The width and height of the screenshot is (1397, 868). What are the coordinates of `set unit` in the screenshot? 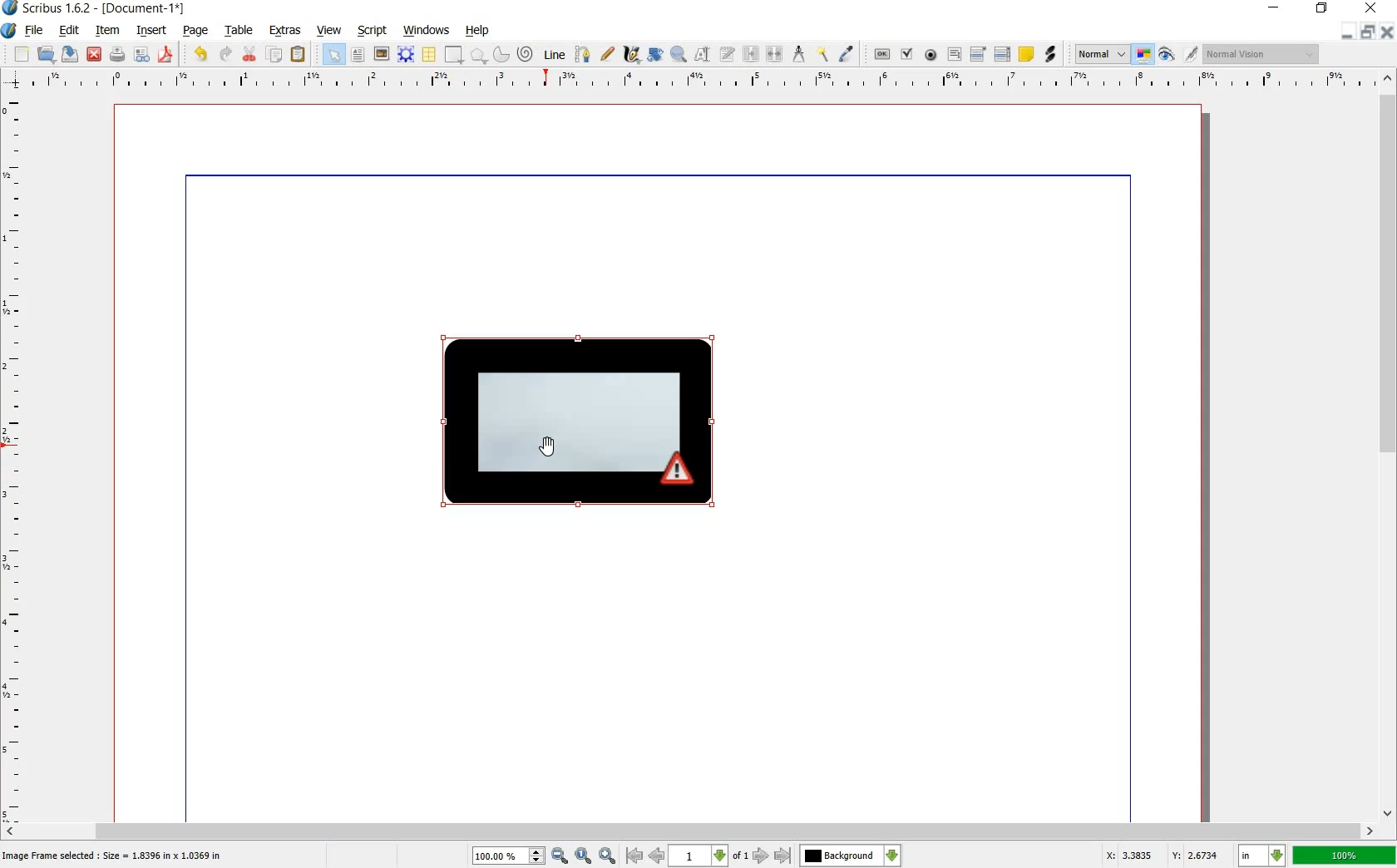 It's located at (1261, 856).